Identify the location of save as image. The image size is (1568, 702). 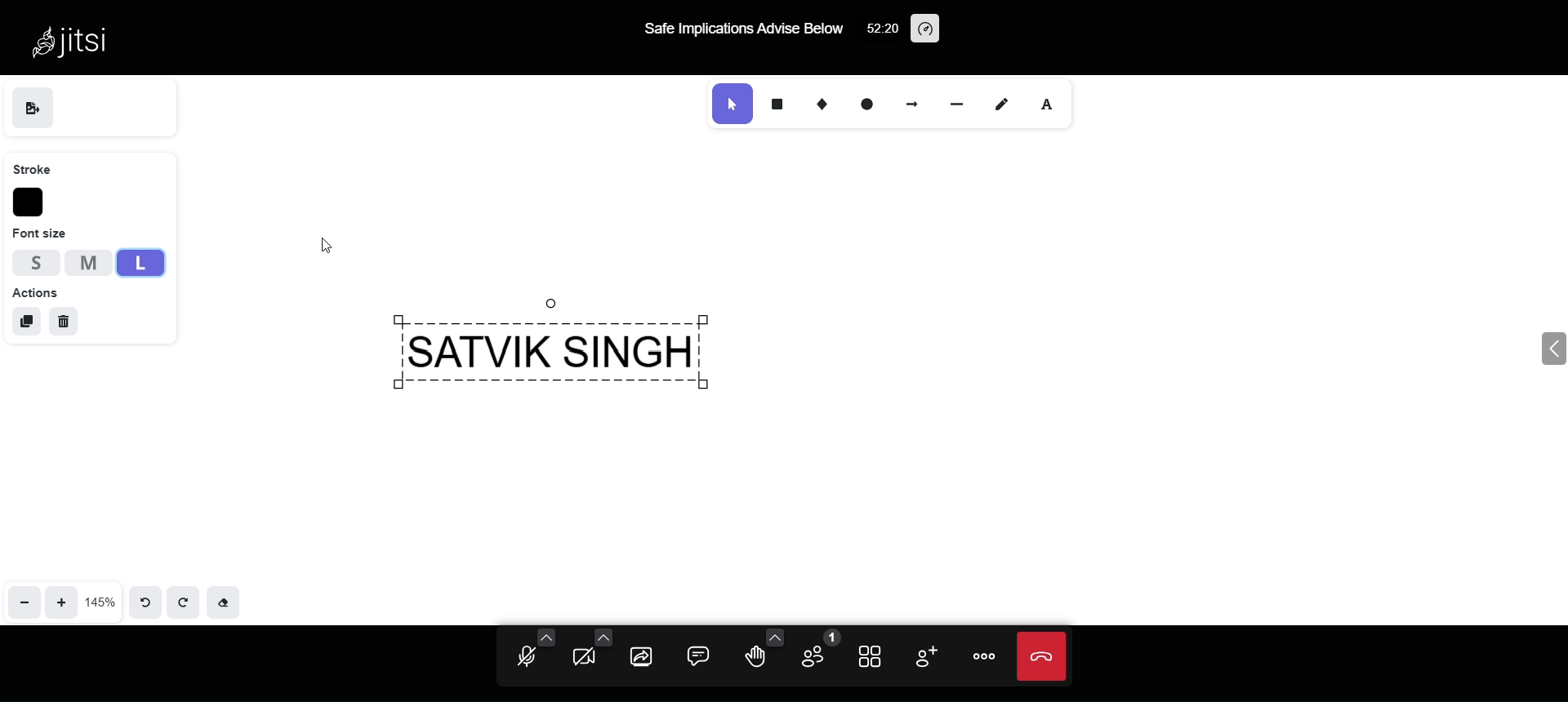
(33, 108).